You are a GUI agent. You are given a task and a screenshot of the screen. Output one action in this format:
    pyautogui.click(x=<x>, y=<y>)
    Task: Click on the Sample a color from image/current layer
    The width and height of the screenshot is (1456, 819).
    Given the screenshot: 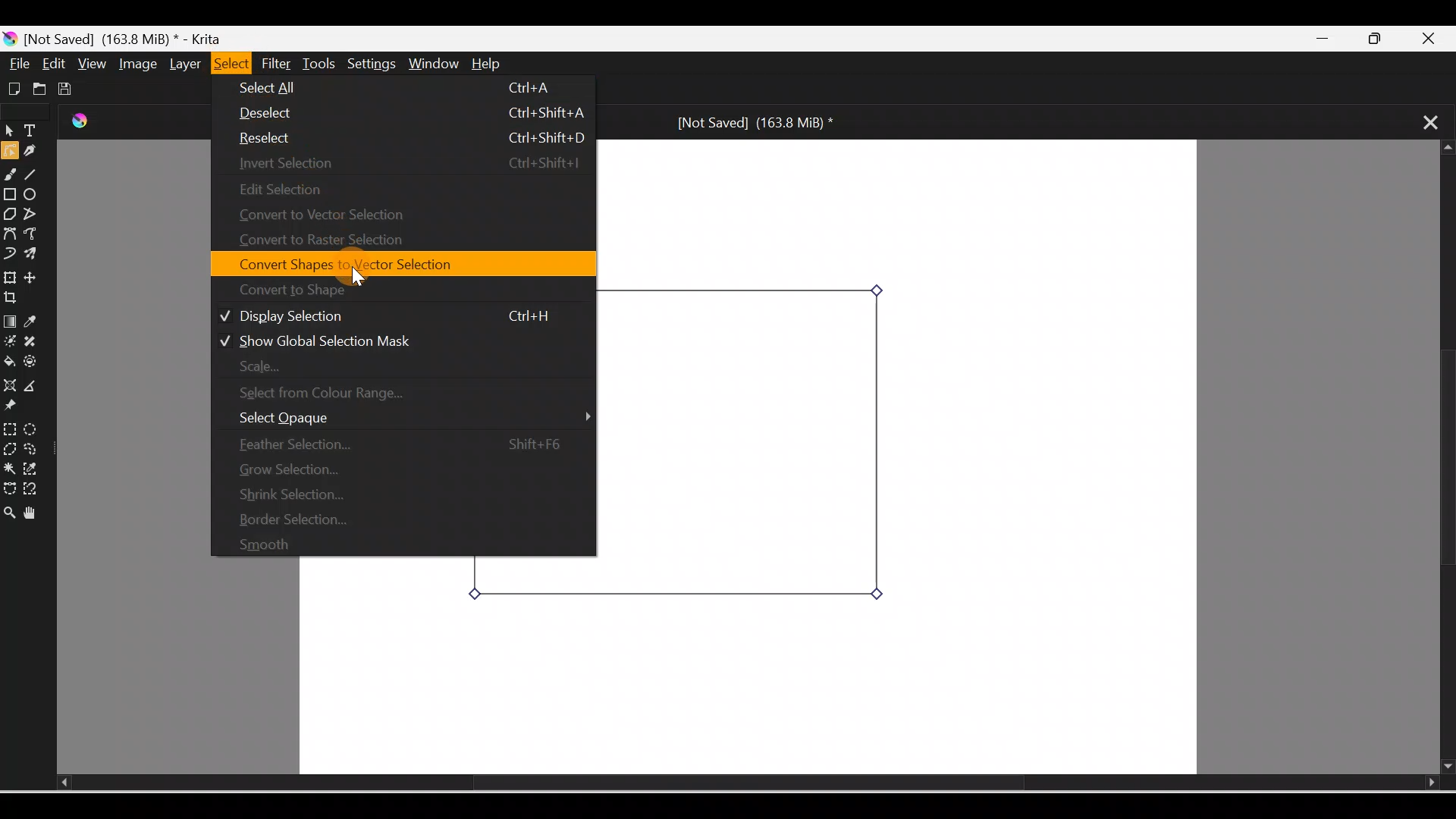 What is the action you would take?
    pyautogui.click(x=36, y=322)
    